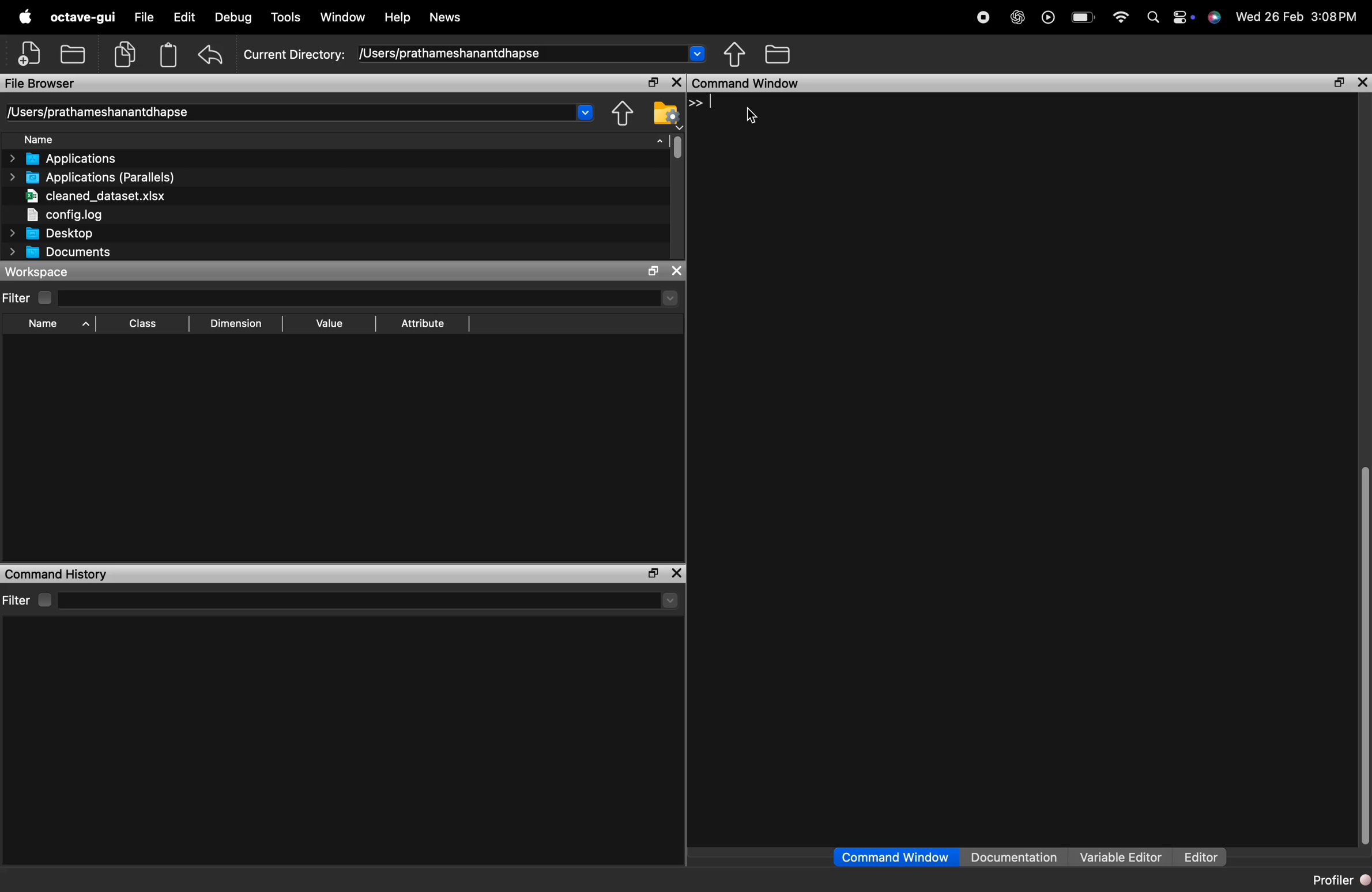  What do you see at coordinates (986, 84) in the screenshot?
I see `Command Window` at bounding box center [986, 84].